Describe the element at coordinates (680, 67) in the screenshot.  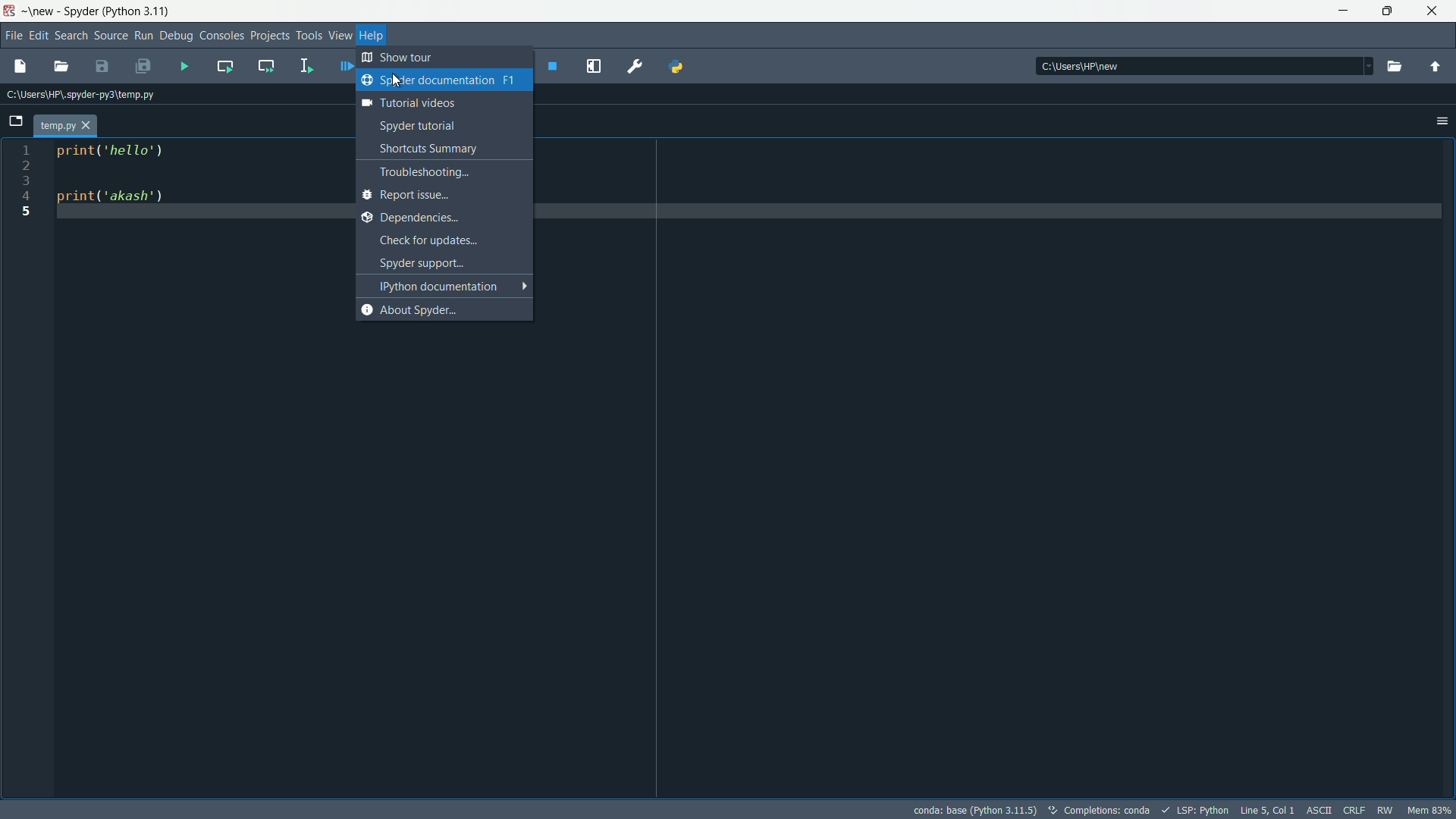
I see `python path manager` at that location.